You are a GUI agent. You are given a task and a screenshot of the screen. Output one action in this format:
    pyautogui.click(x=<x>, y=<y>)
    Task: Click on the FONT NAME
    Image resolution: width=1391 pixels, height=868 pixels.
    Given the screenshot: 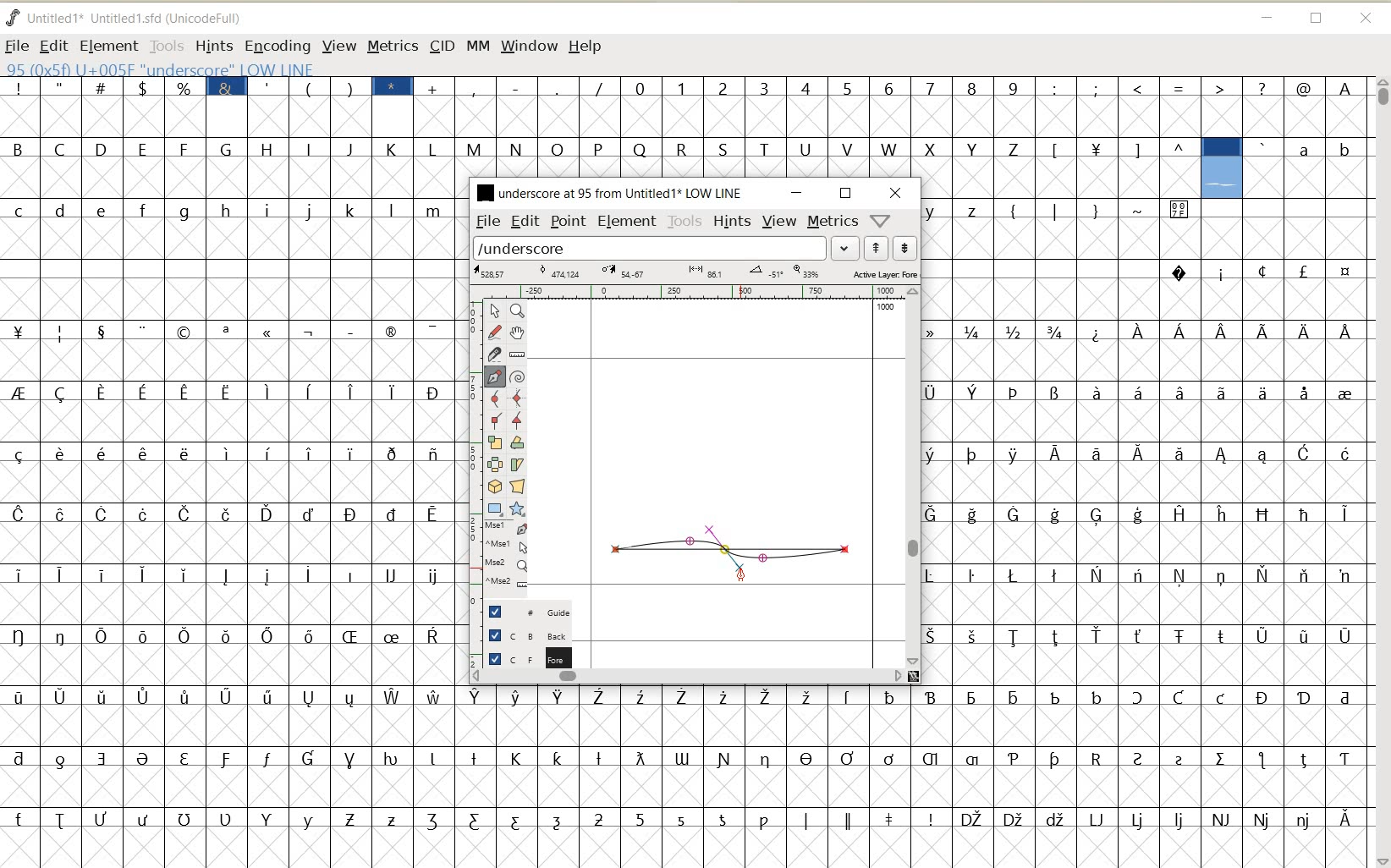 What is the action you would take?
    pyautogui.click(x=608, y=192)
    